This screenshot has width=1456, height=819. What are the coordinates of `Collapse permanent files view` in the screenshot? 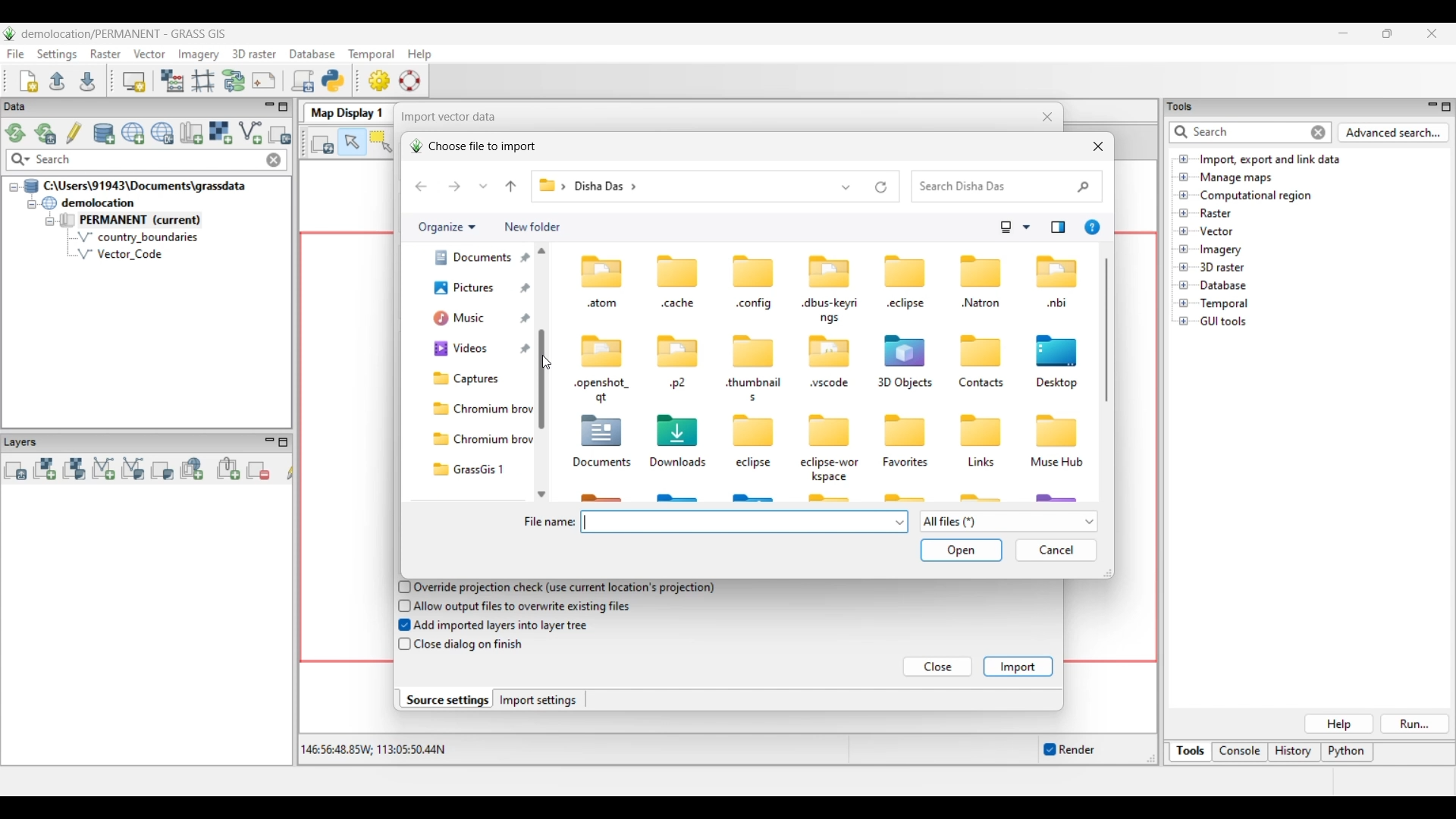 It's located at (50, 221).